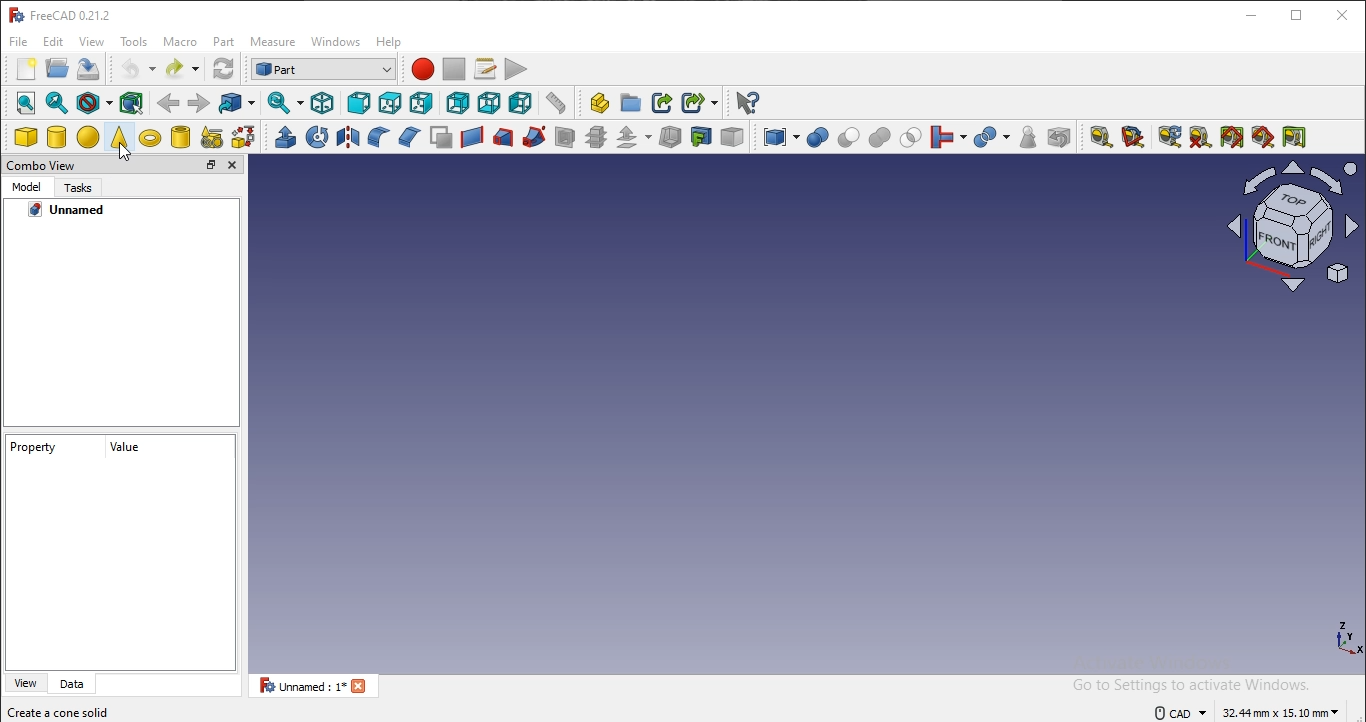  What do you see at coordinates (312, 686) in the screenshot?
I see `unnamed` at bounding box center [312, 686].